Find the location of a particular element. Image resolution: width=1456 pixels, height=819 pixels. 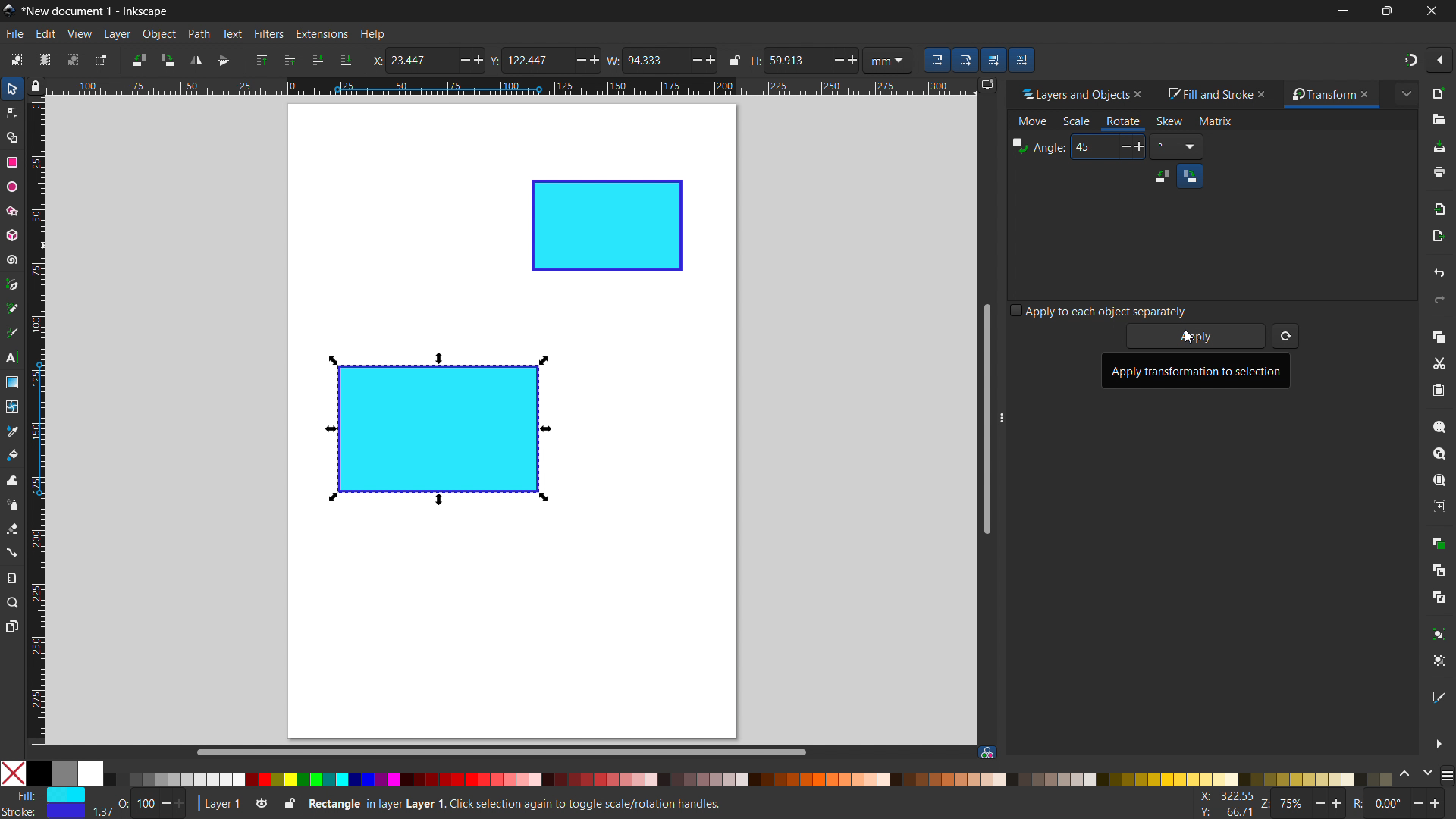

X: 23.447 is located at coordinates (409, 60).